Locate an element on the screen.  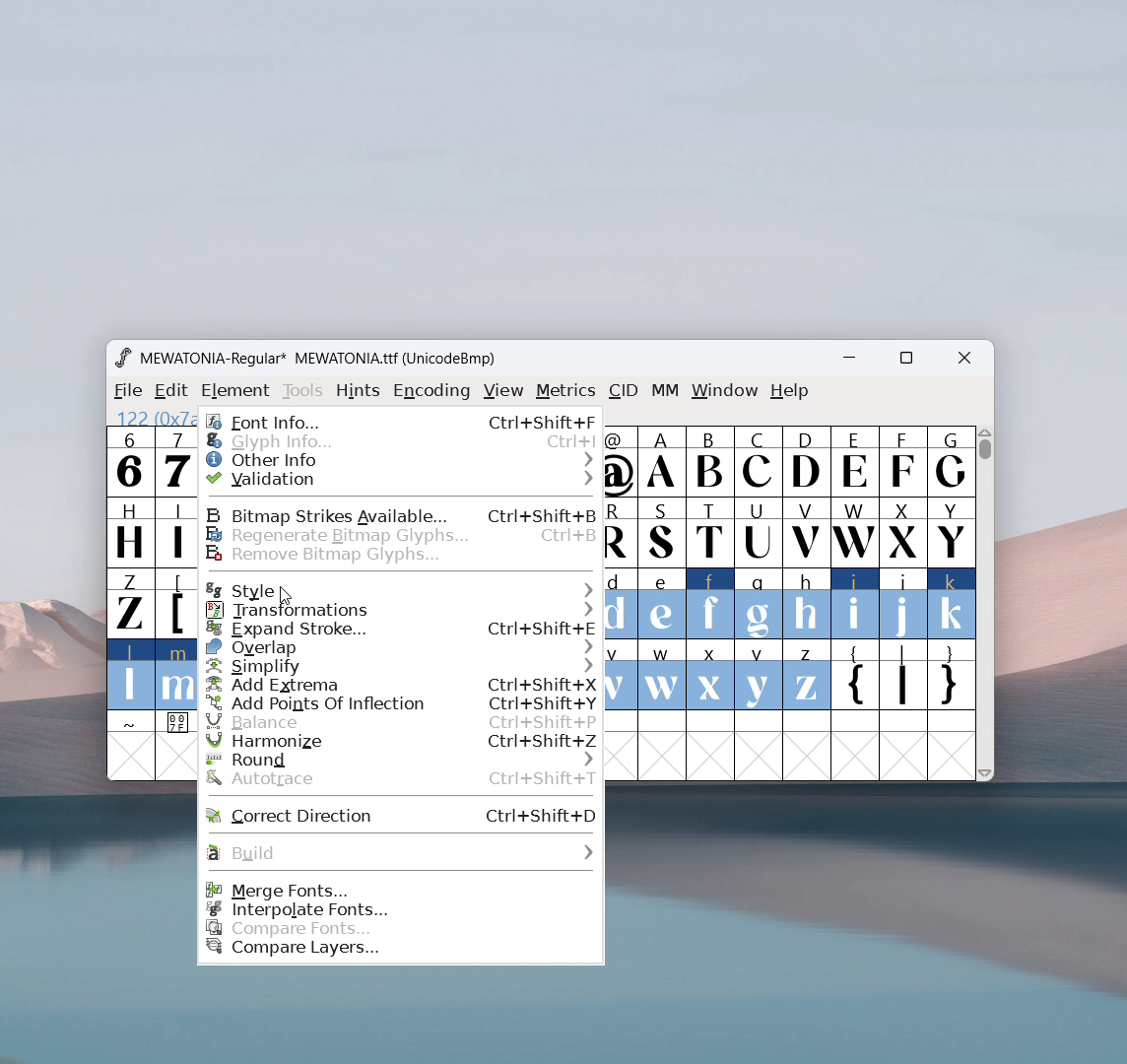
hints is located at coordinates (360, 390).